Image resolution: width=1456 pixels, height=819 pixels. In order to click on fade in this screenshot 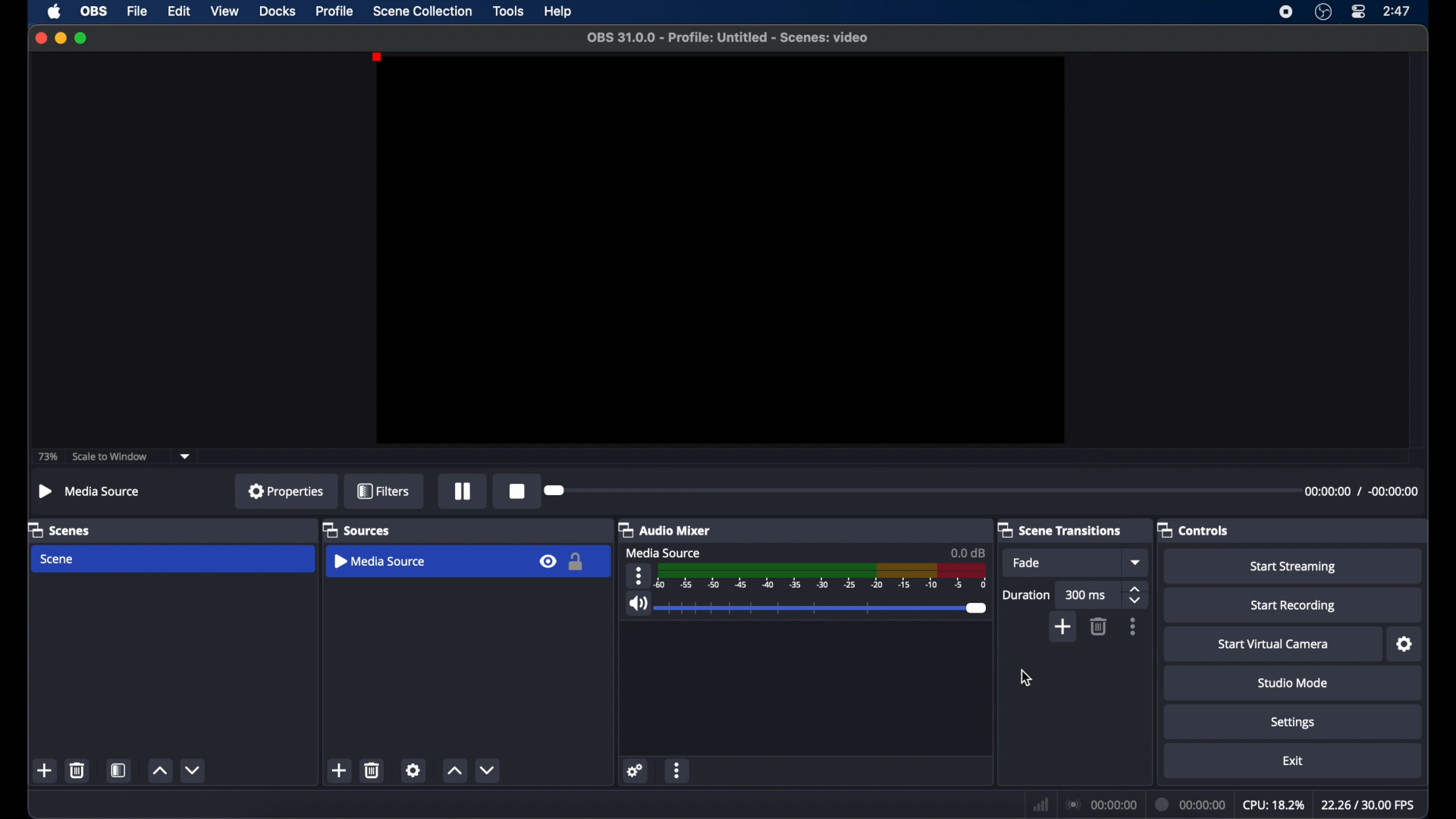, I will do `click(1027, 563)`.